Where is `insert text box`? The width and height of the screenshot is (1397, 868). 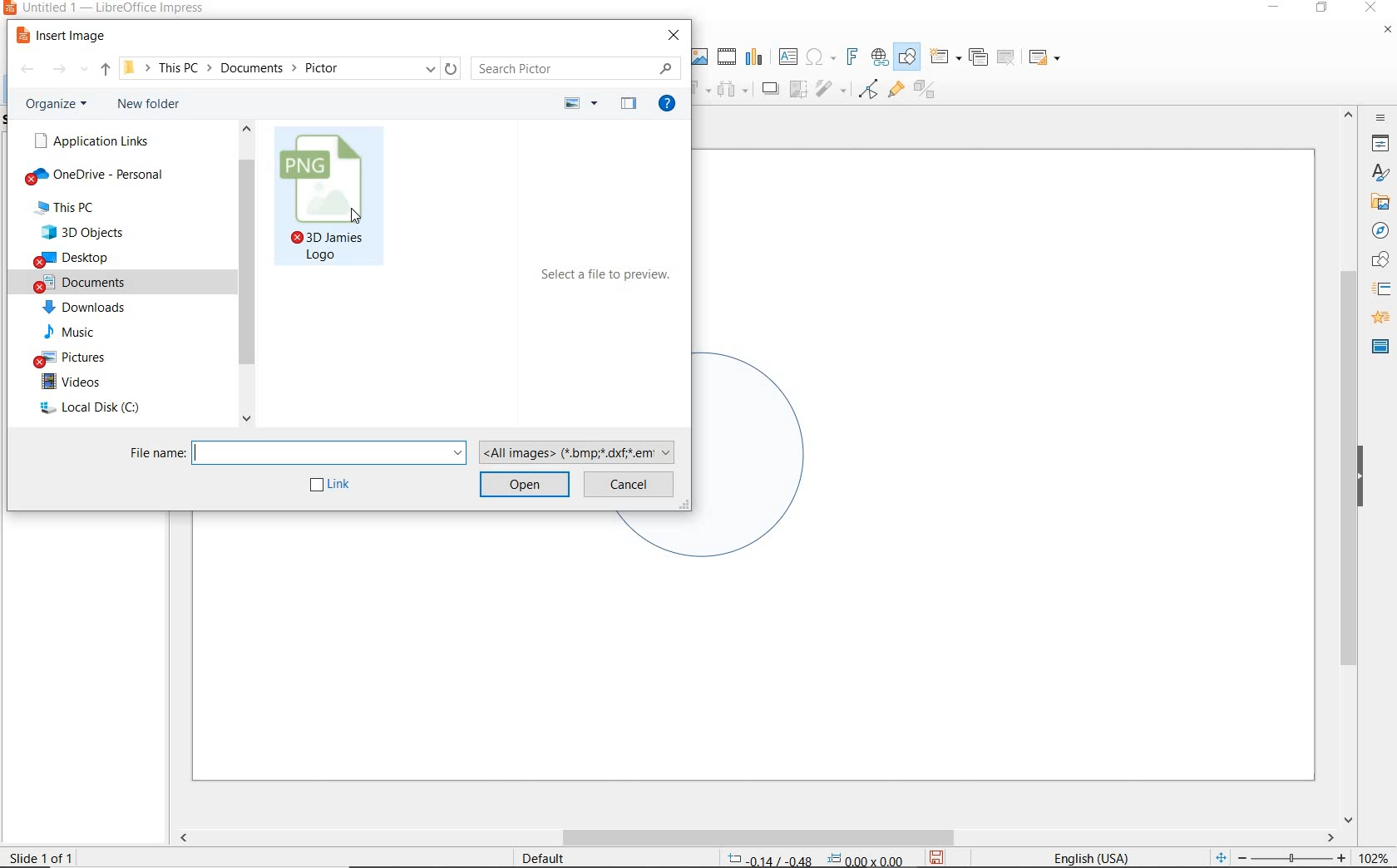 insert text box is located at coordinates (787, 57).